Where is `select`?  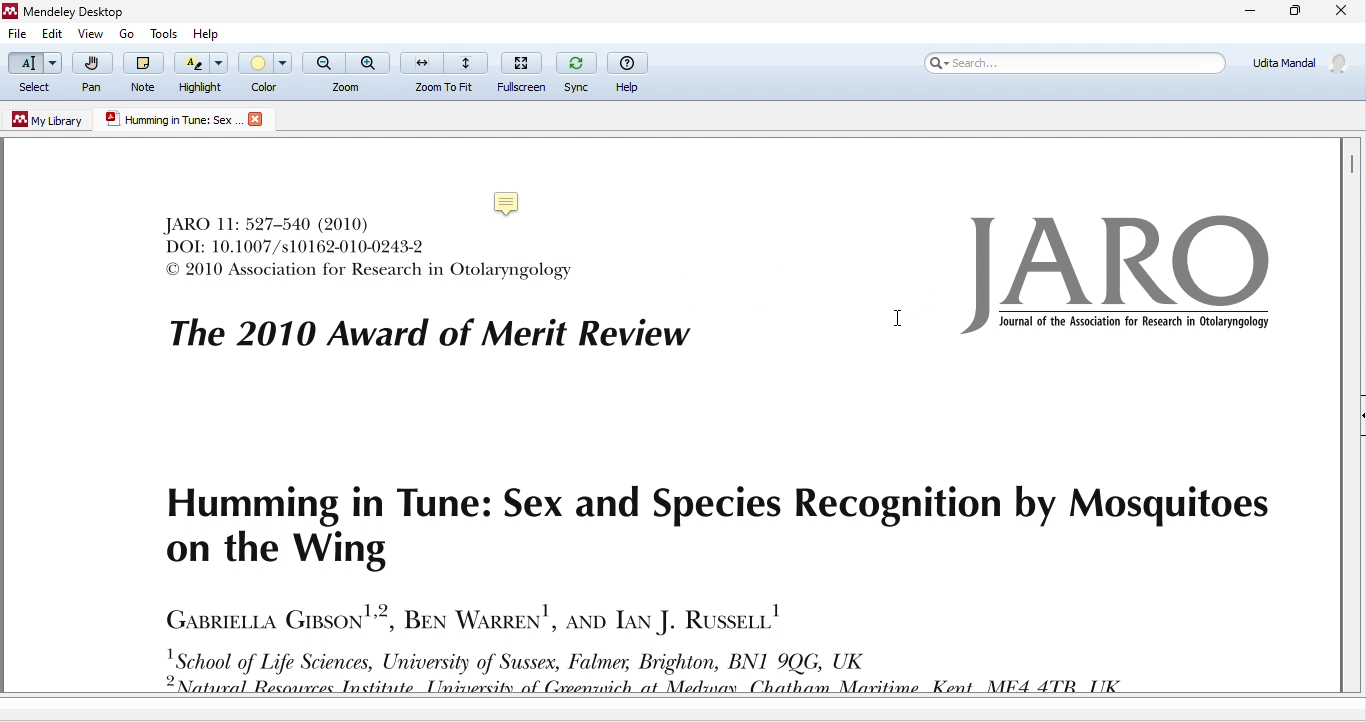
select is located at coordinates (36, 73).